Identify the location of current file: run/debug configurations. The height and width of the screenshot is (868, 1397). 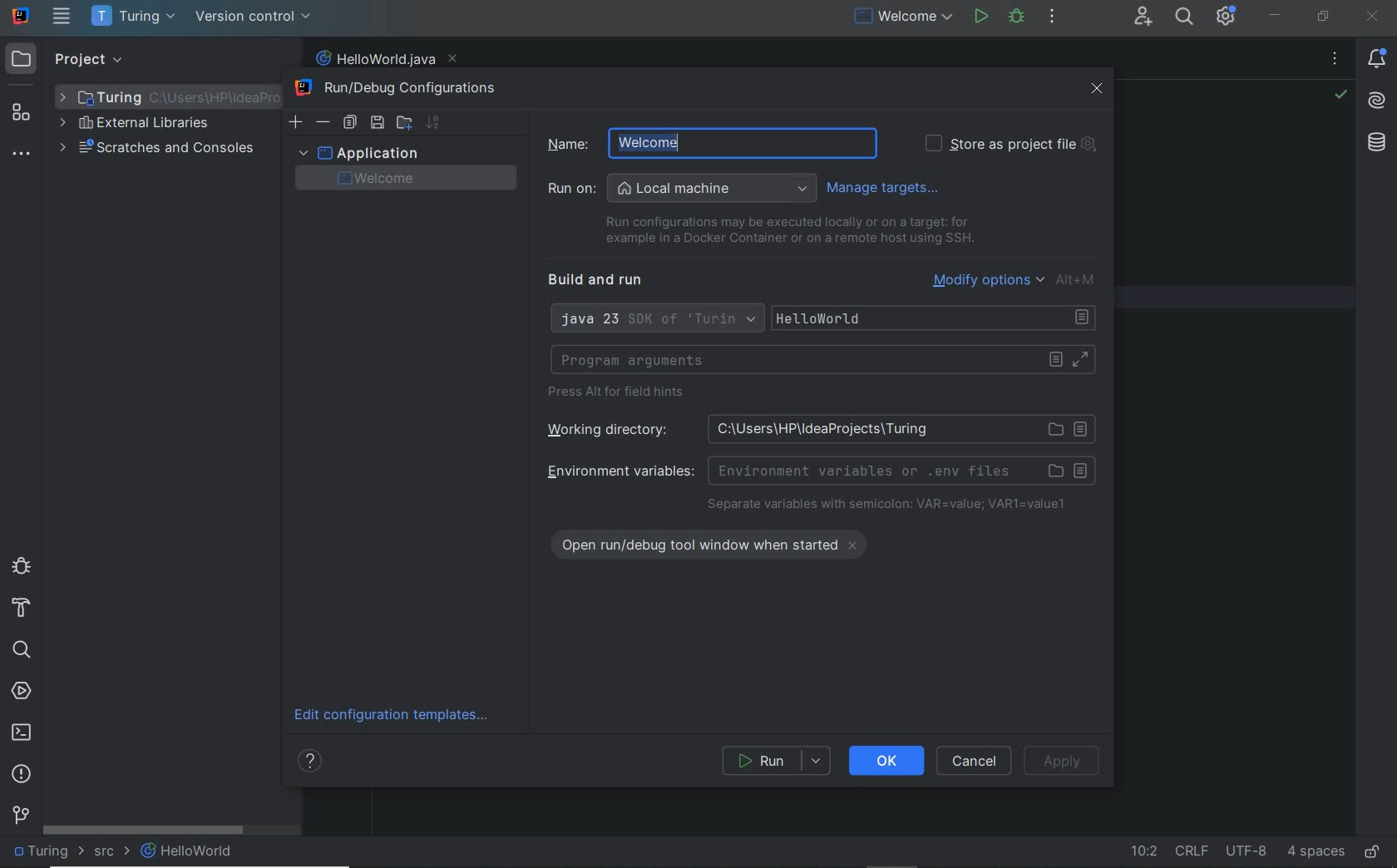
(901, 17).